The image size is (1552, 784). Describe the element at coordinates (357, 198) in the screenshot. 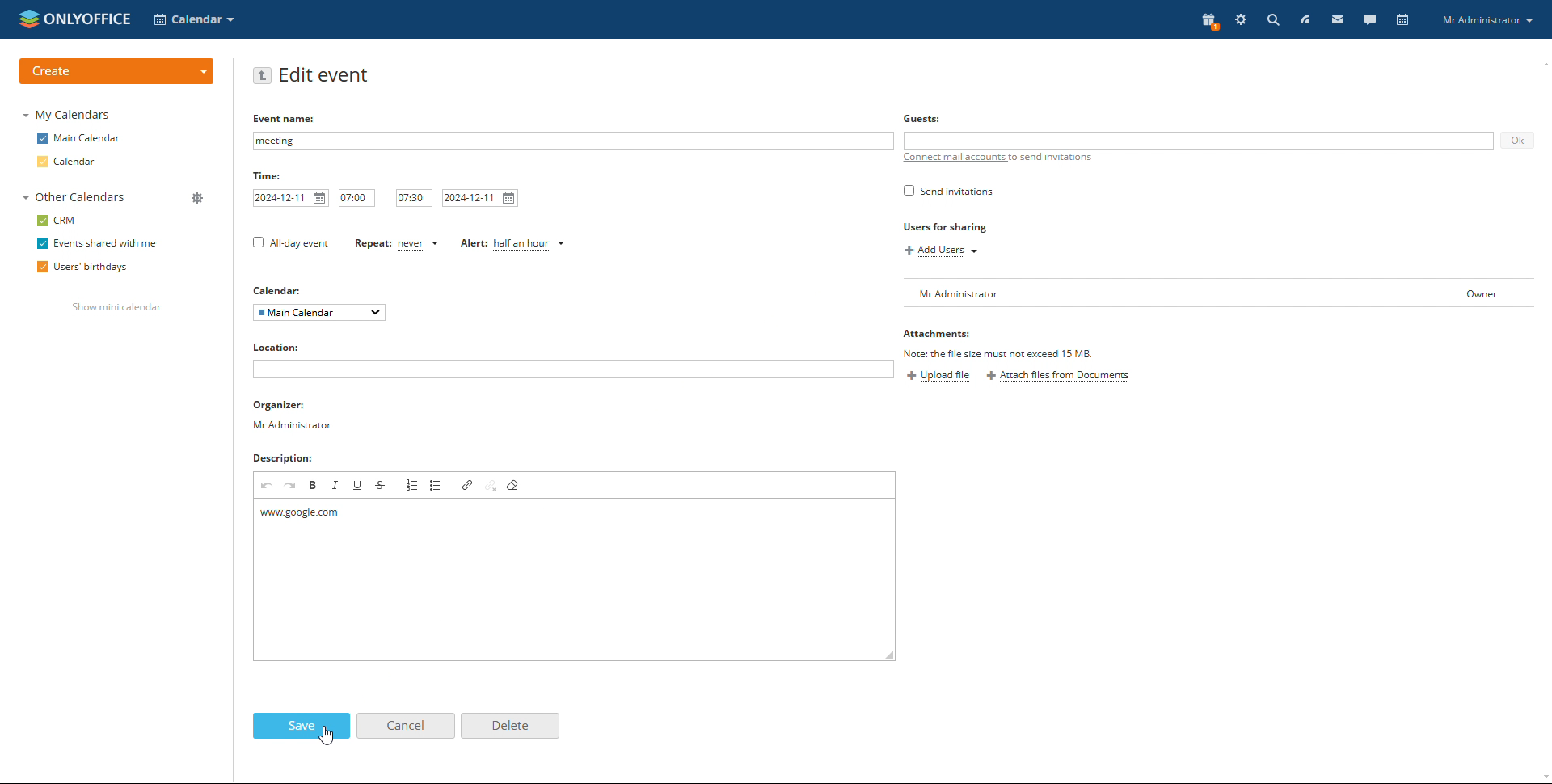

I see `start time` at that location.